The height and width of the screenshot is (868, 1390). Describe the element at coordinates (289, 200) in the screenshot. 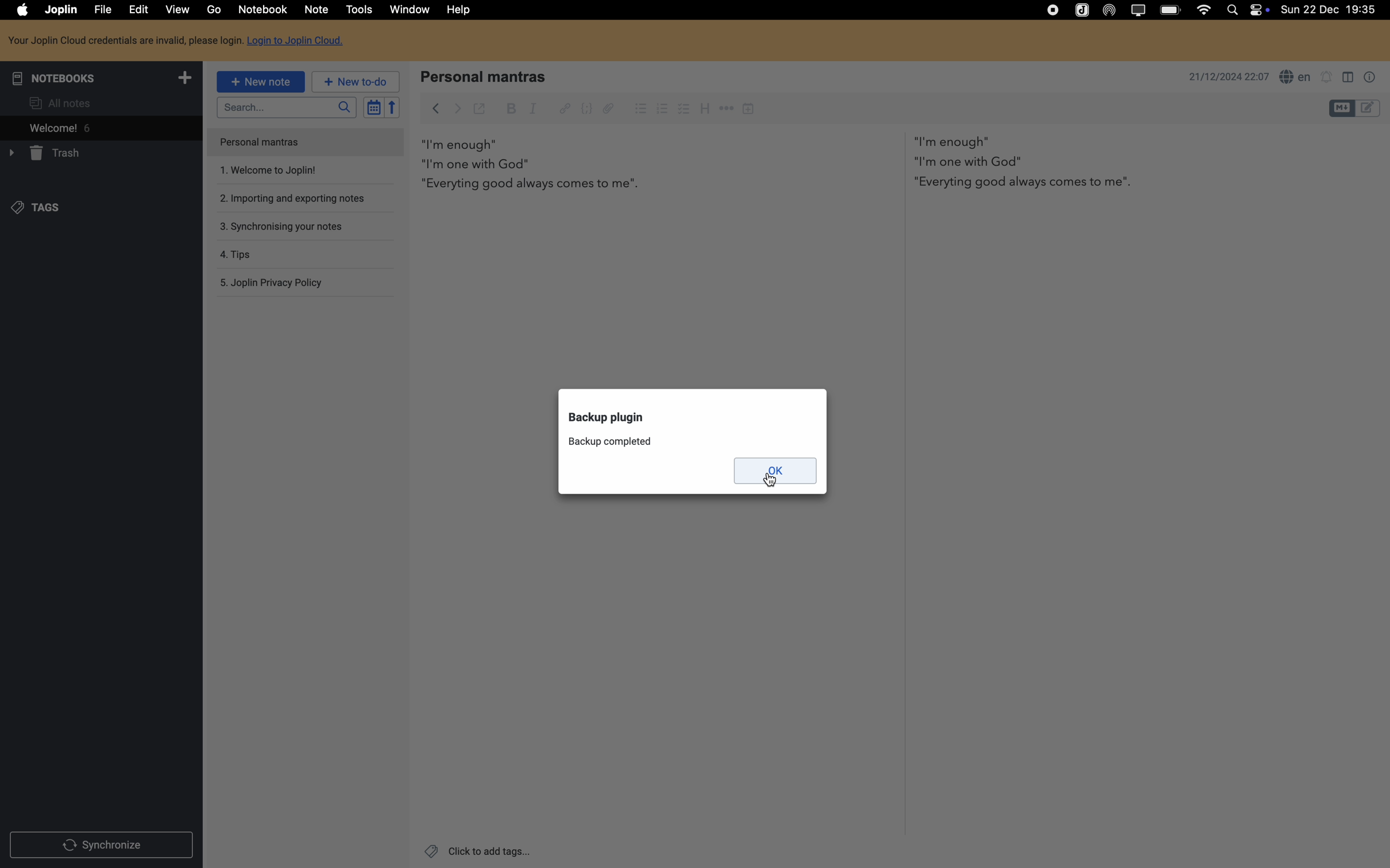

I see `importing and exporting notes` at that location.